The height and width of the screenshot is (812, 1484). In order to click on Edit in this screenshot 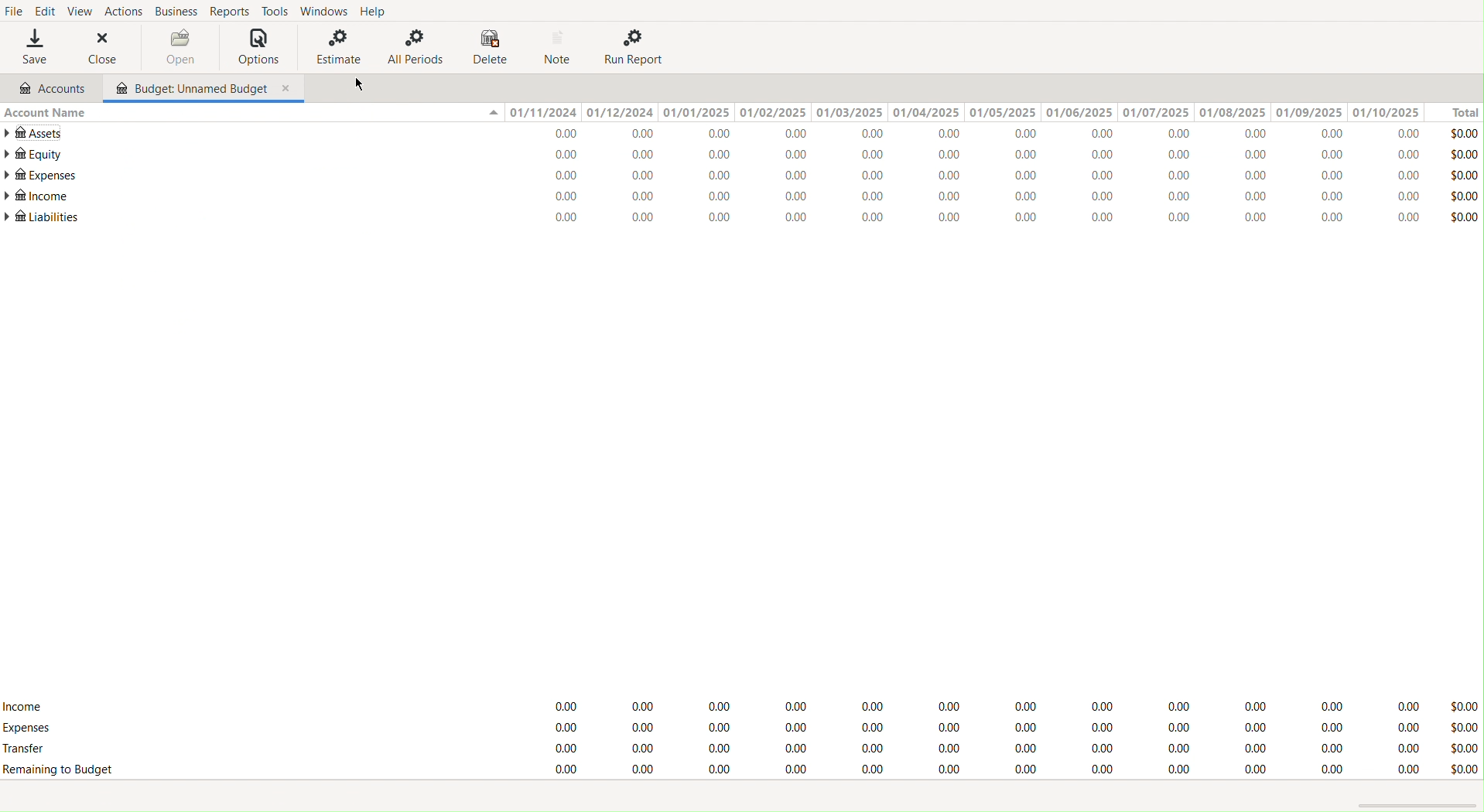, I will do `click(46, 11)`.